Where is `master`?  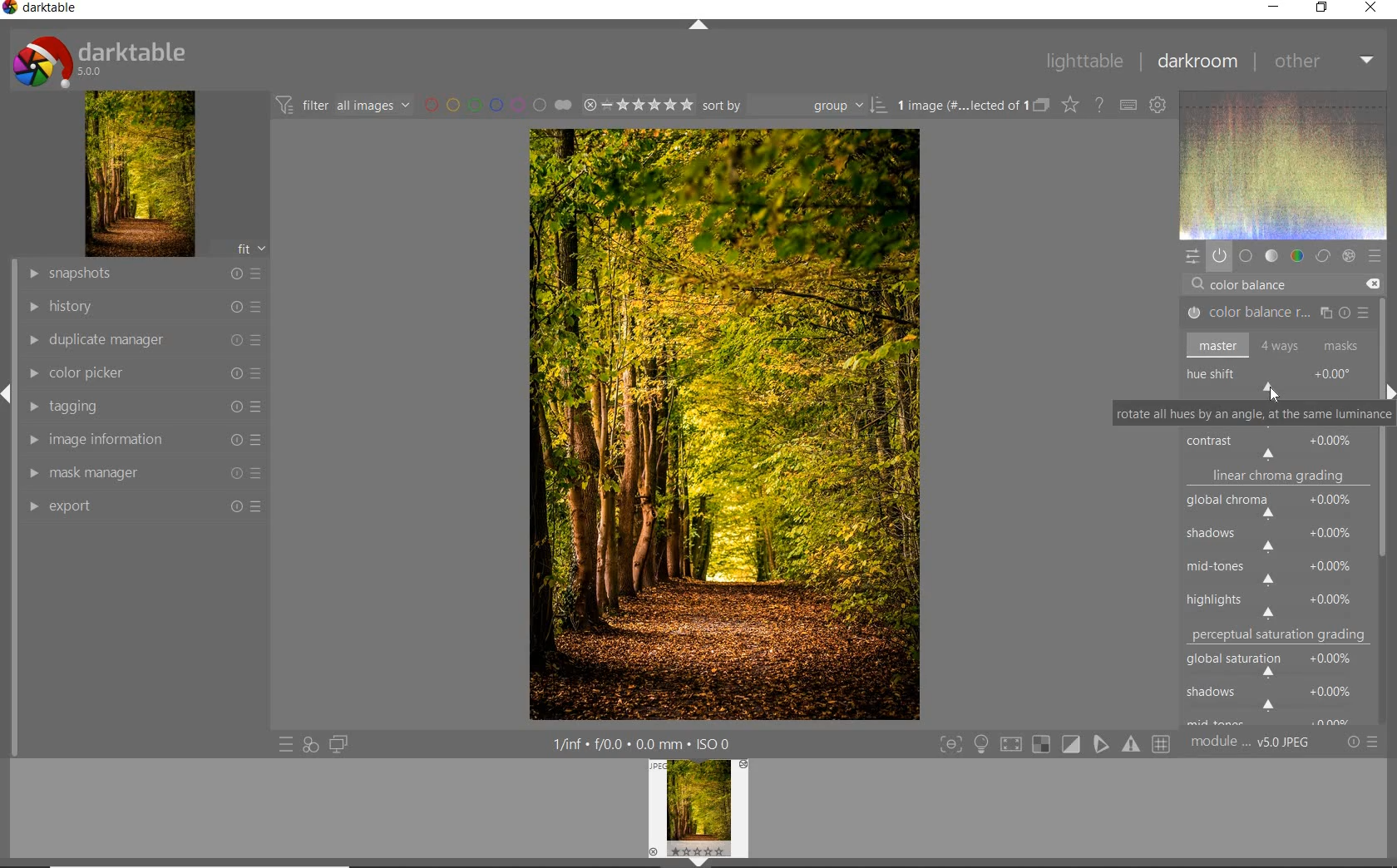 master is located at coordinates (1274, 345).